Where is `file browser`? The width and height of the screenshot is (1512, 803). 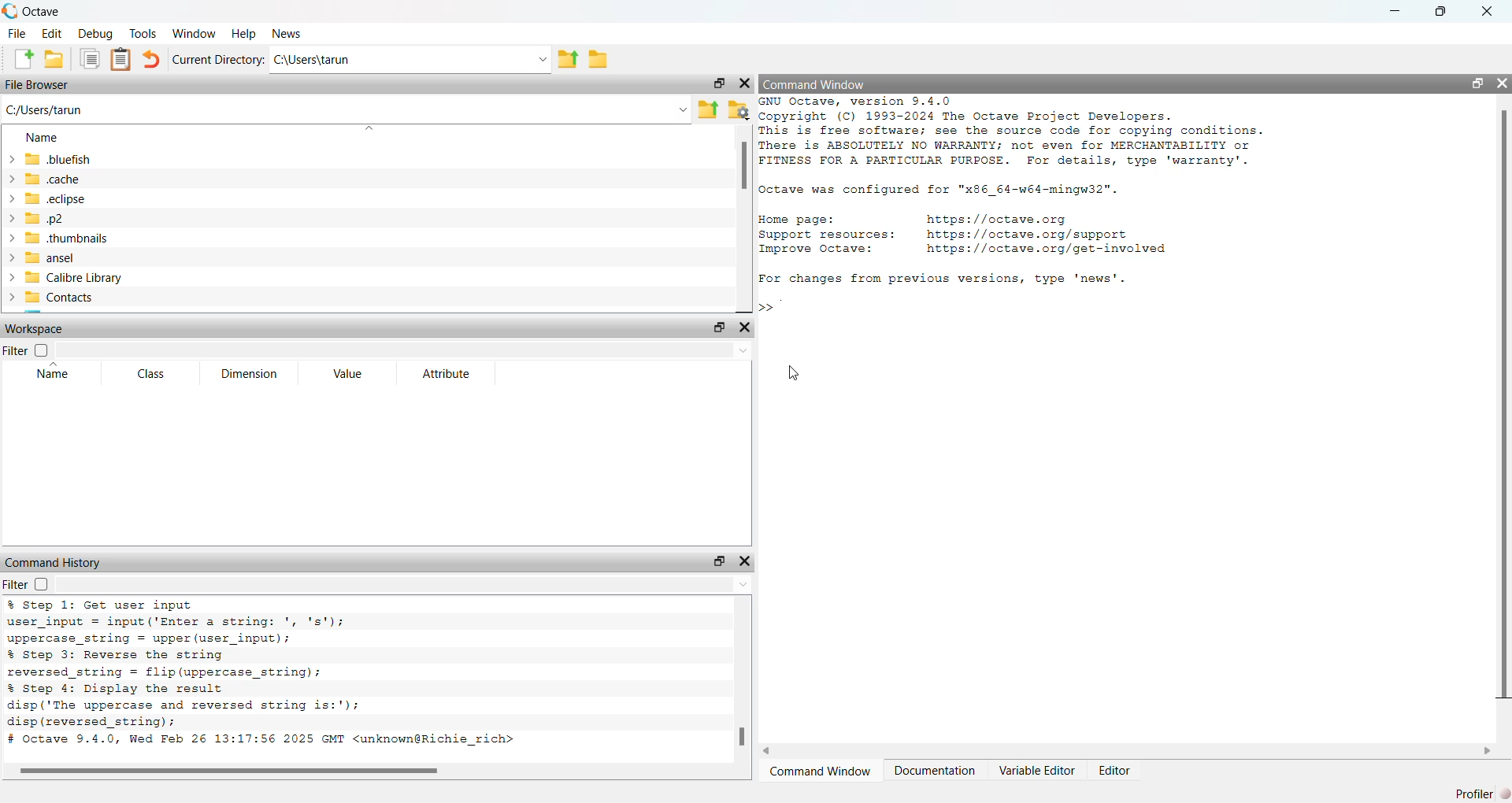 file browser is located at coordinates (42, 86).